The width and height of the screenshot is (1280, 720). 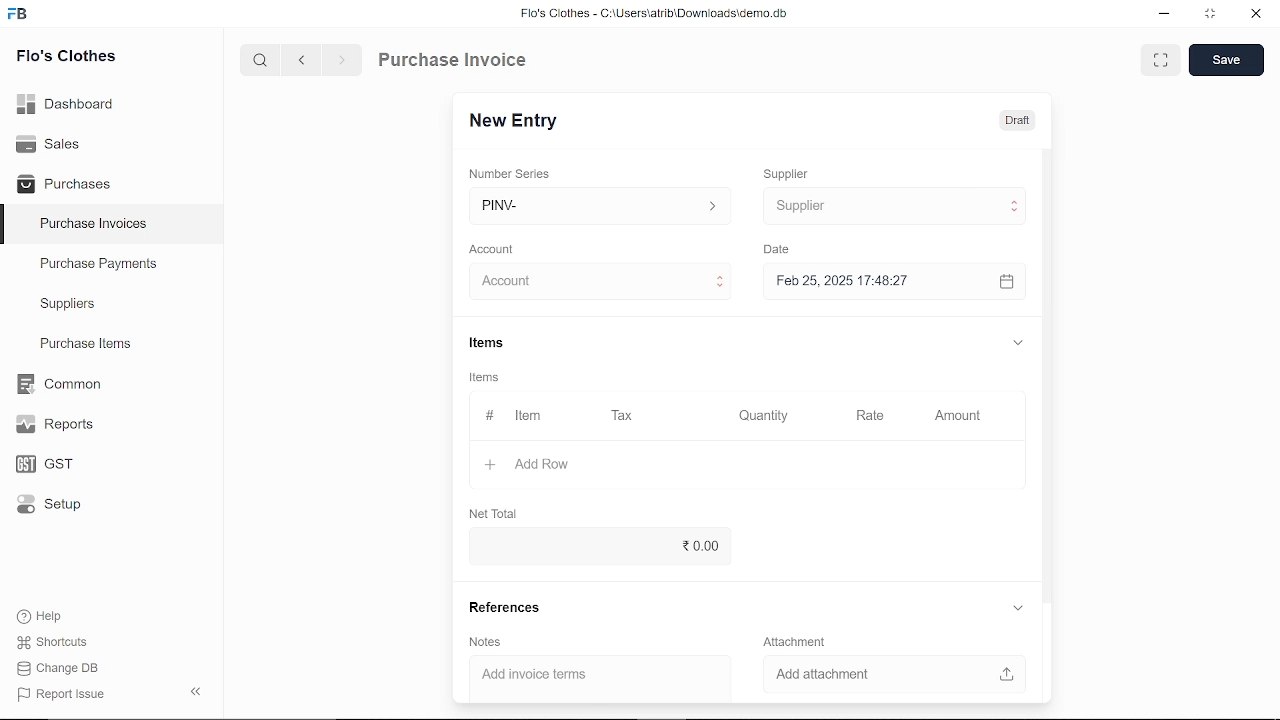 What do you see at coordinates (38, 465) in the screenshot?
I see `GST` at bounding box center [38, 465].